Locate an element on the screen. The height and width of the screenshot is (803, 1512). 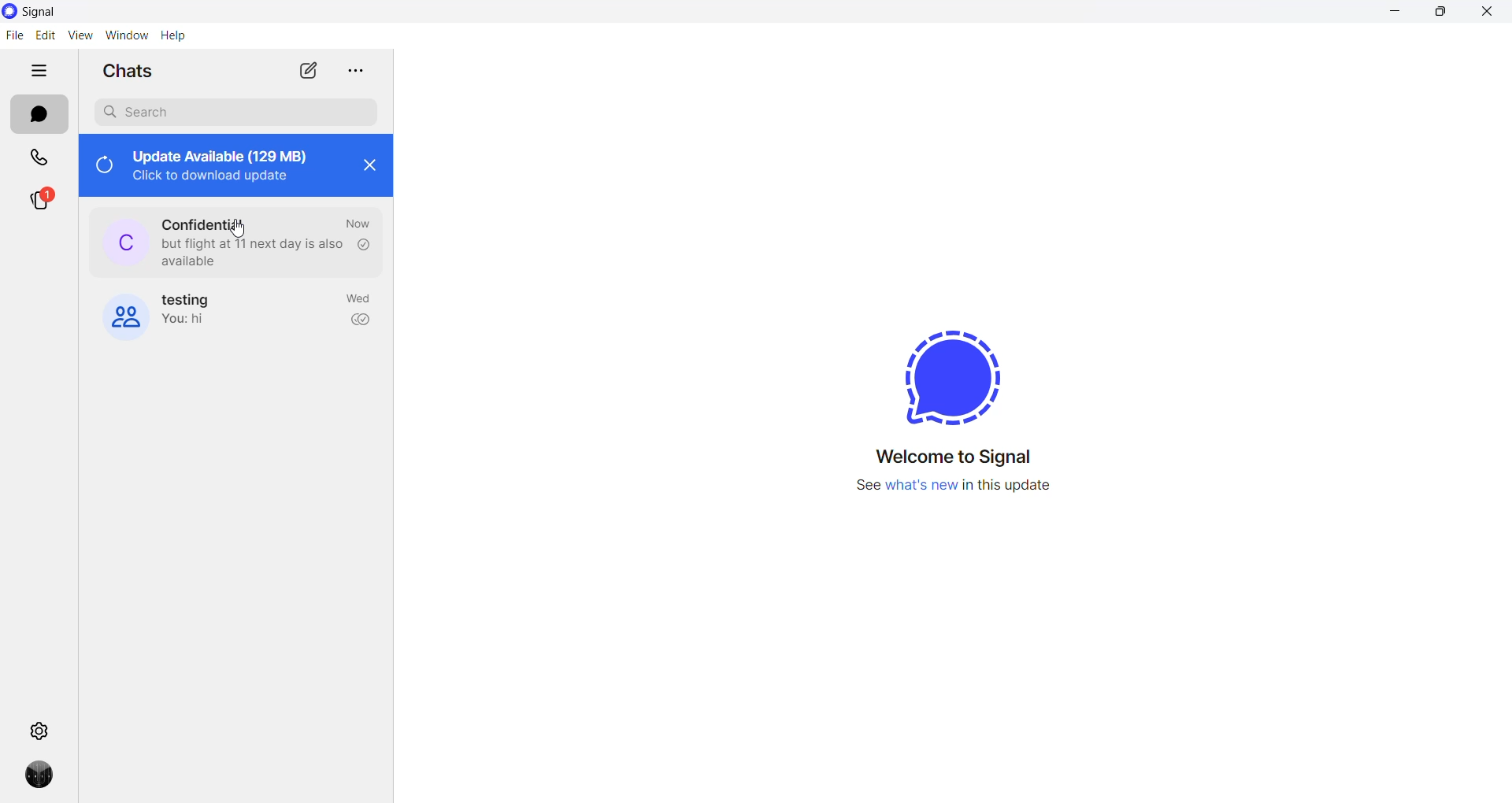
profile pictures is located at coordinates (126, 241).